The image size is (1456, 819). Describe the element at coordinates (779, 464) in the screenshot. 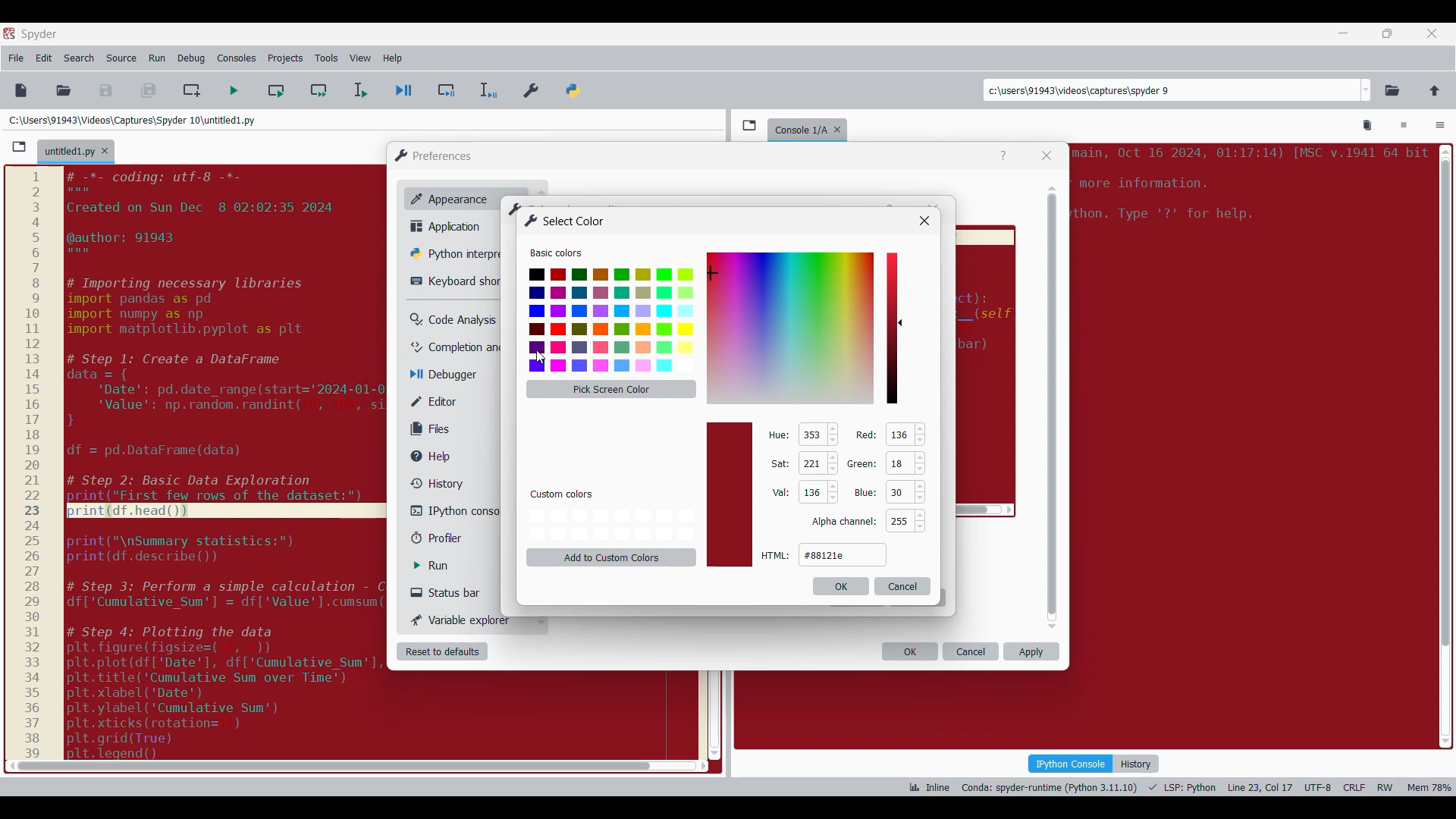

I see `sat` at that location.